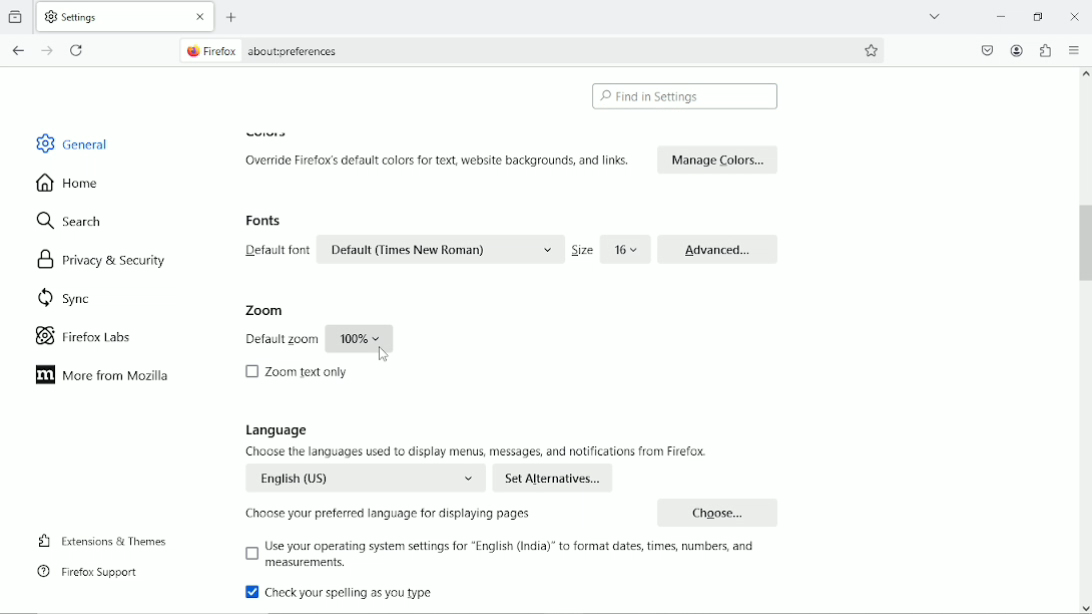 The height and width of the screenshot is (614, 1092). What do you see at coordinates (1017, 50) in the screenshot?
I see `account` at bounding box center [1017, 50].